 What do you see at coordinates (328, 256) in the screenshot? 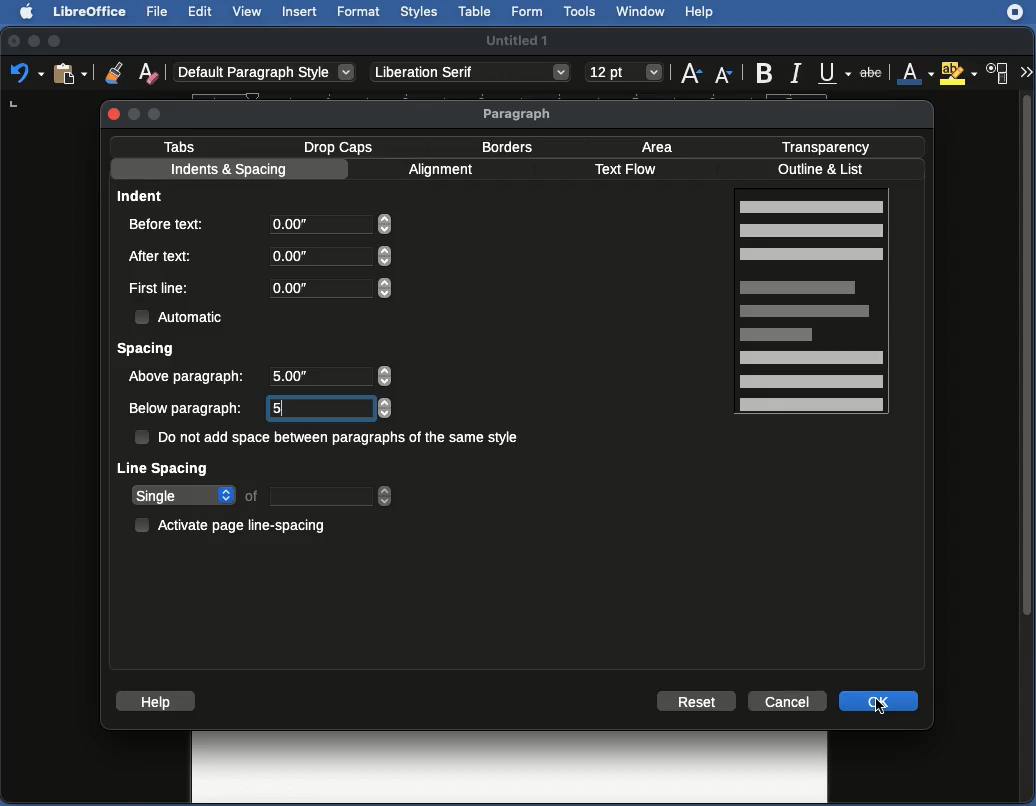
I see `0.00"` at bounding box center [328, 256].